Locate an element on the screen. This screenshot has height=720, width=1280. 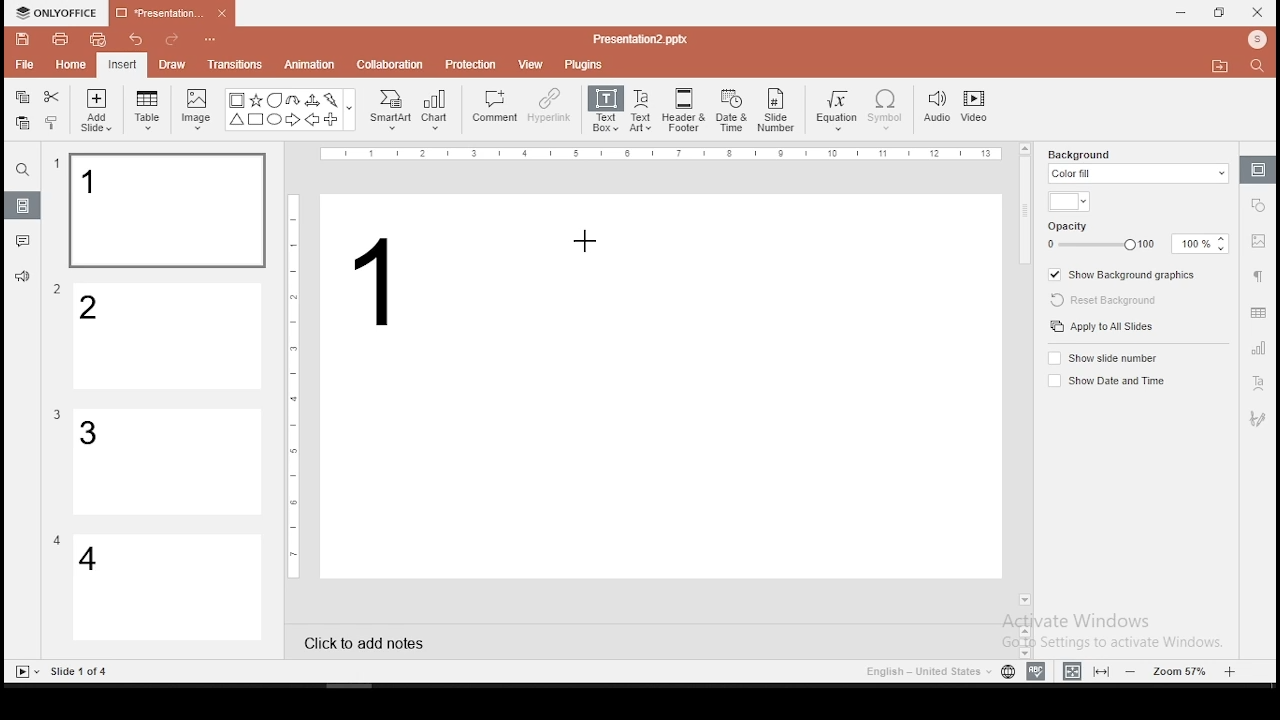
show slide number on/off is located at coordinates (1104, 357).